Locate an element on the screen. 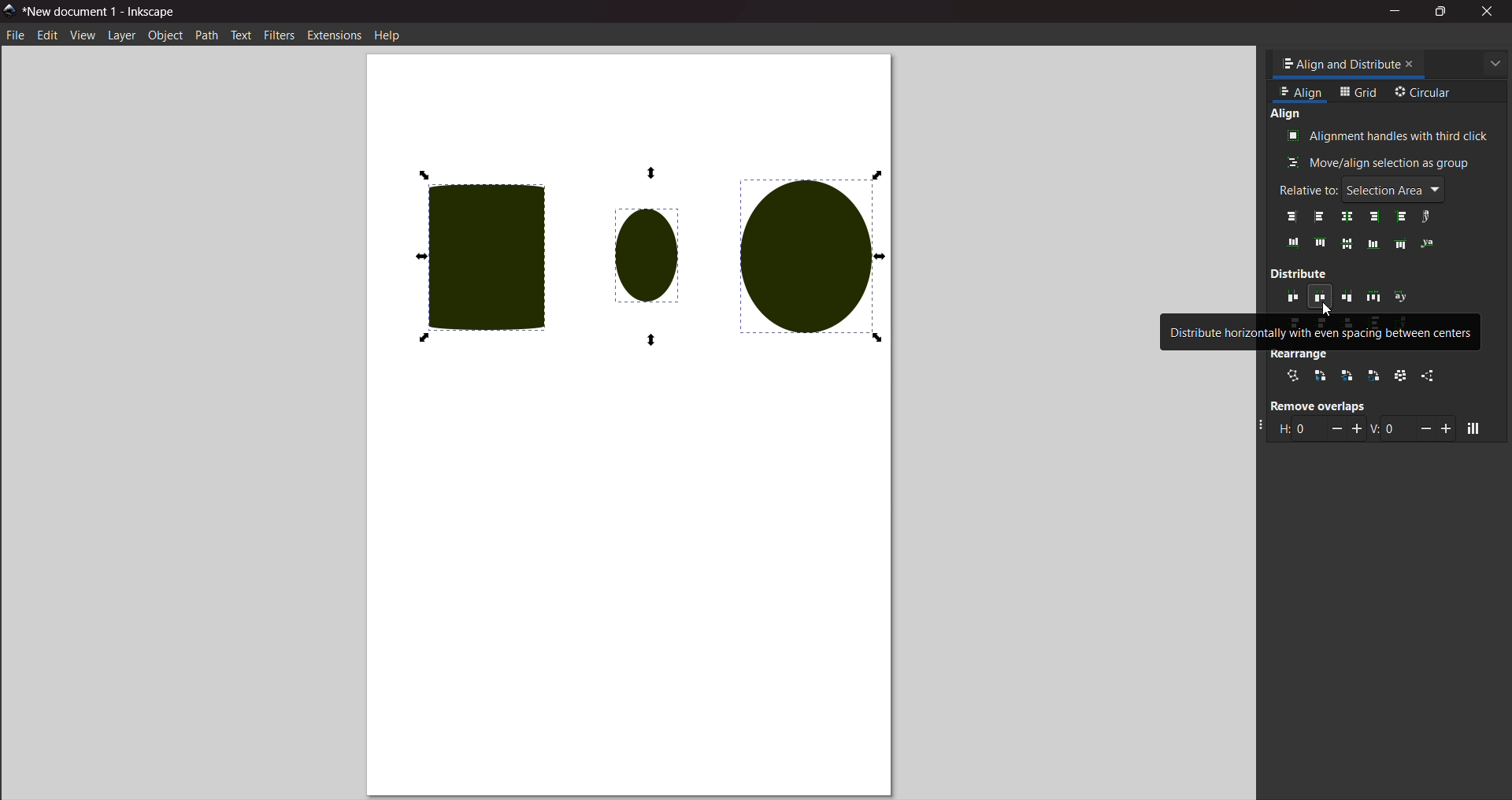  evenly distributed objects is located at coordinates (641, 254).